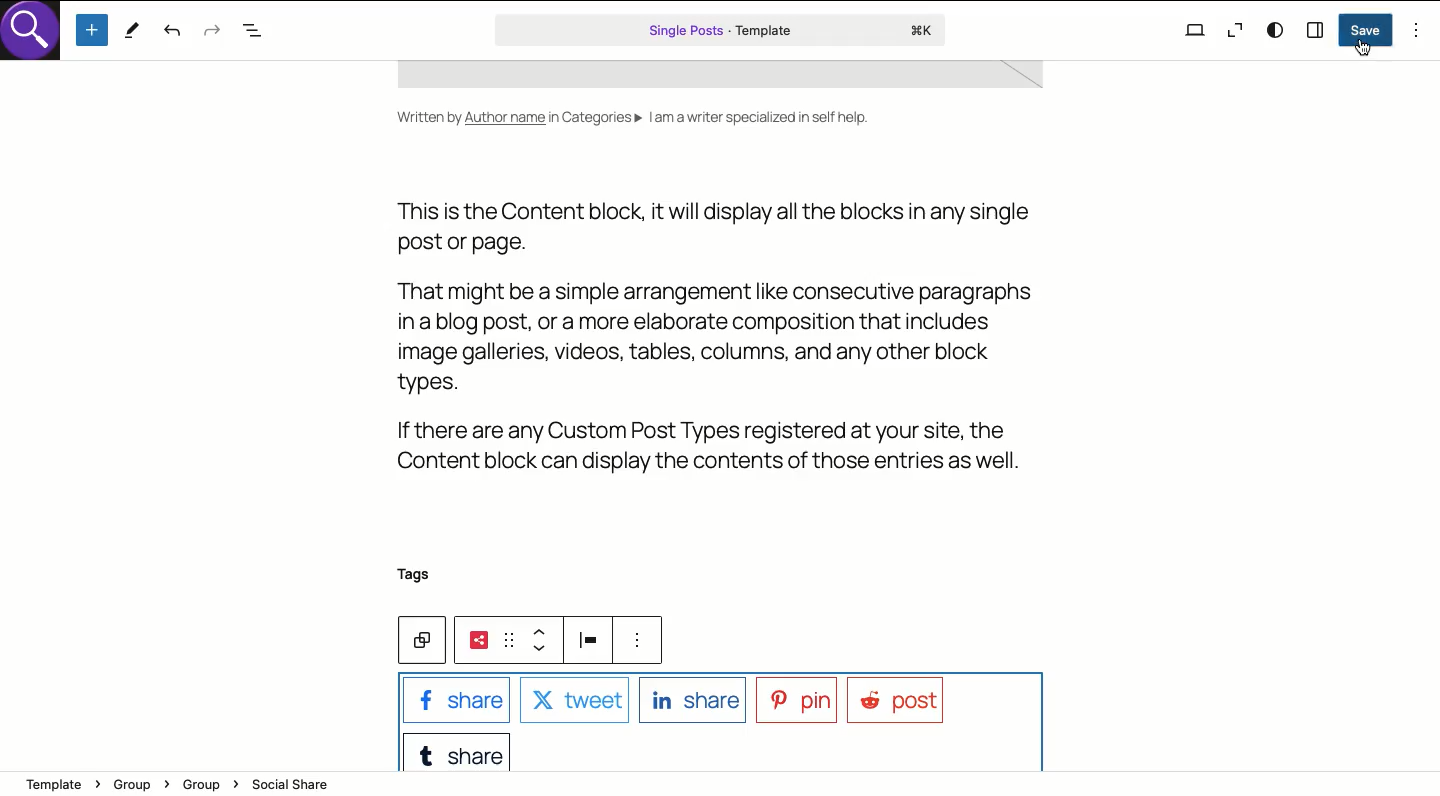 The width and height of the screenshot is (1440, 796). What do you see at coordinates (256, 32) in the screenshot?
I see `Document overview` at bounding box center [256, 32].